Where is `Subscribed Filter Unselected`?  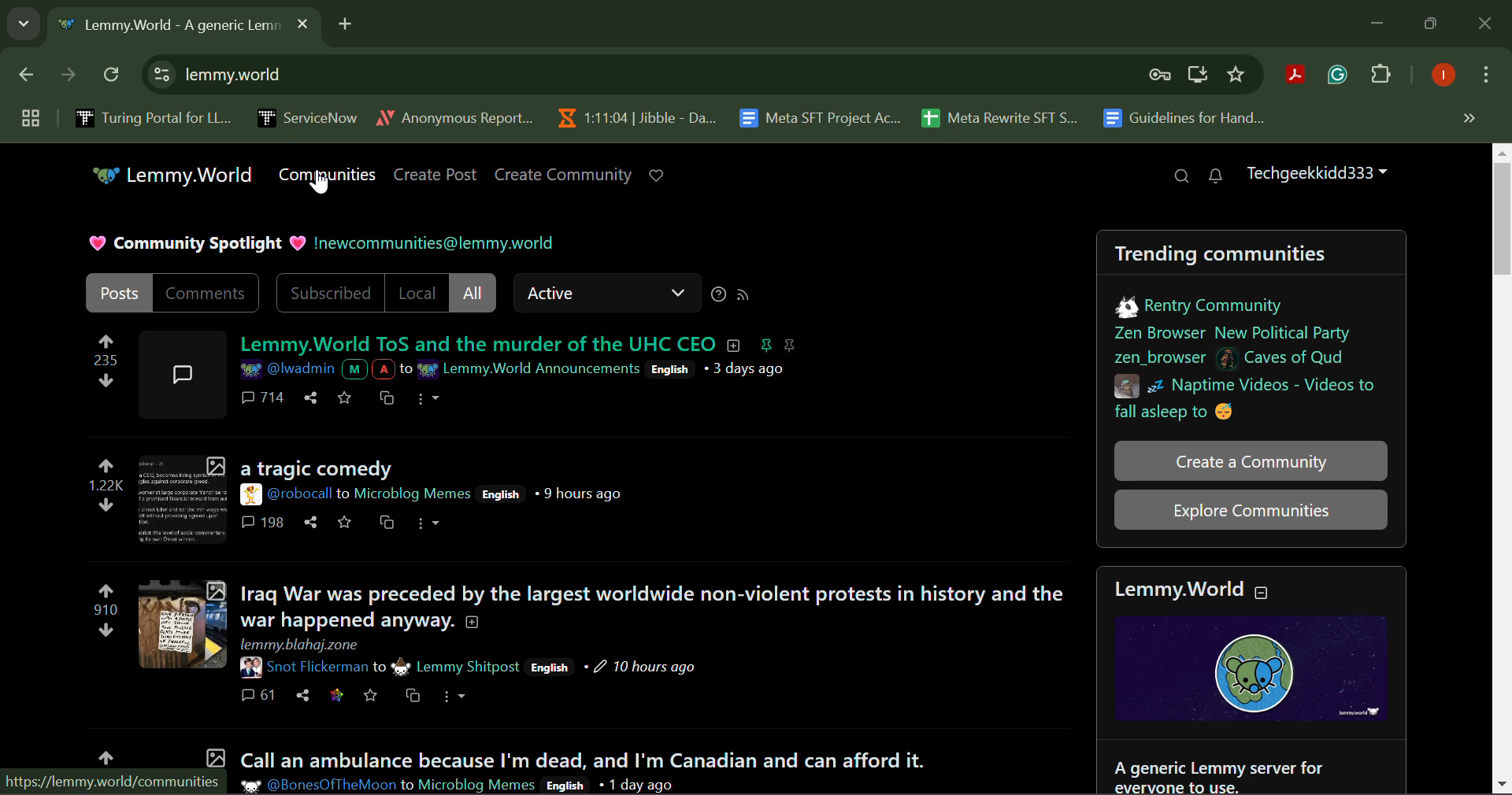 Subscribed Filter Unselected is located at coordinates (332, 293).